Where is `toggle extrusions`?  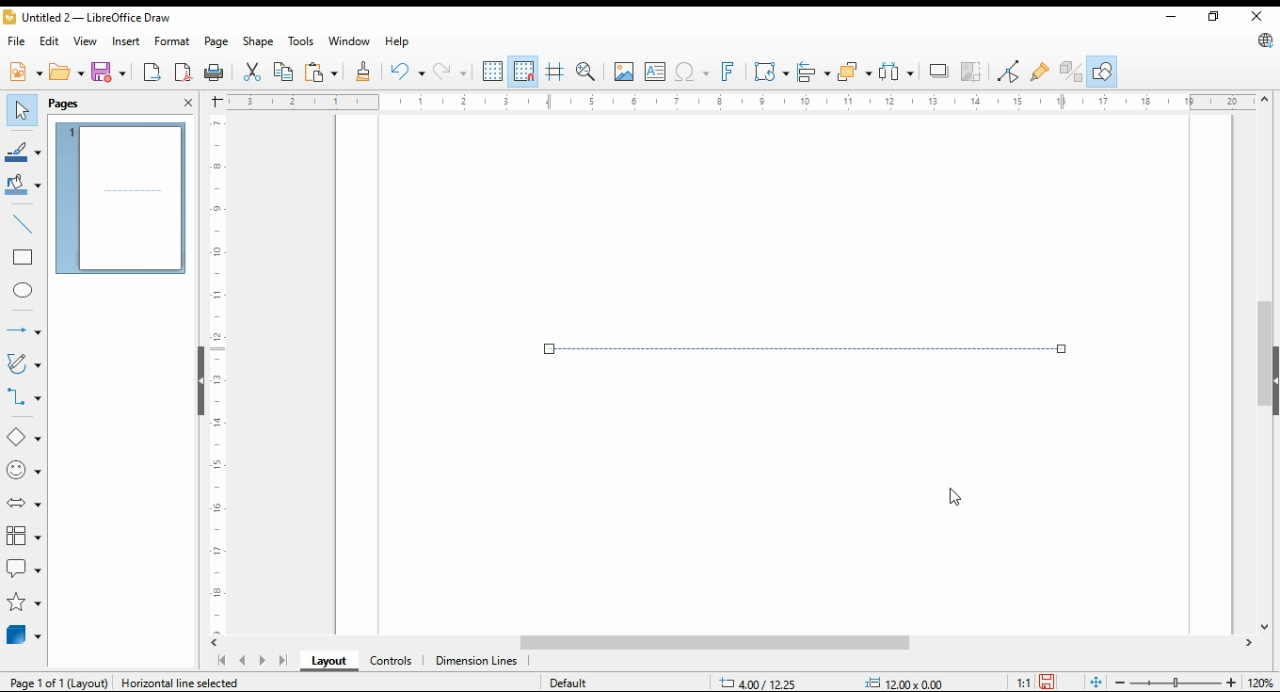 toggle extrusions is located at coordinates (1071, 72).